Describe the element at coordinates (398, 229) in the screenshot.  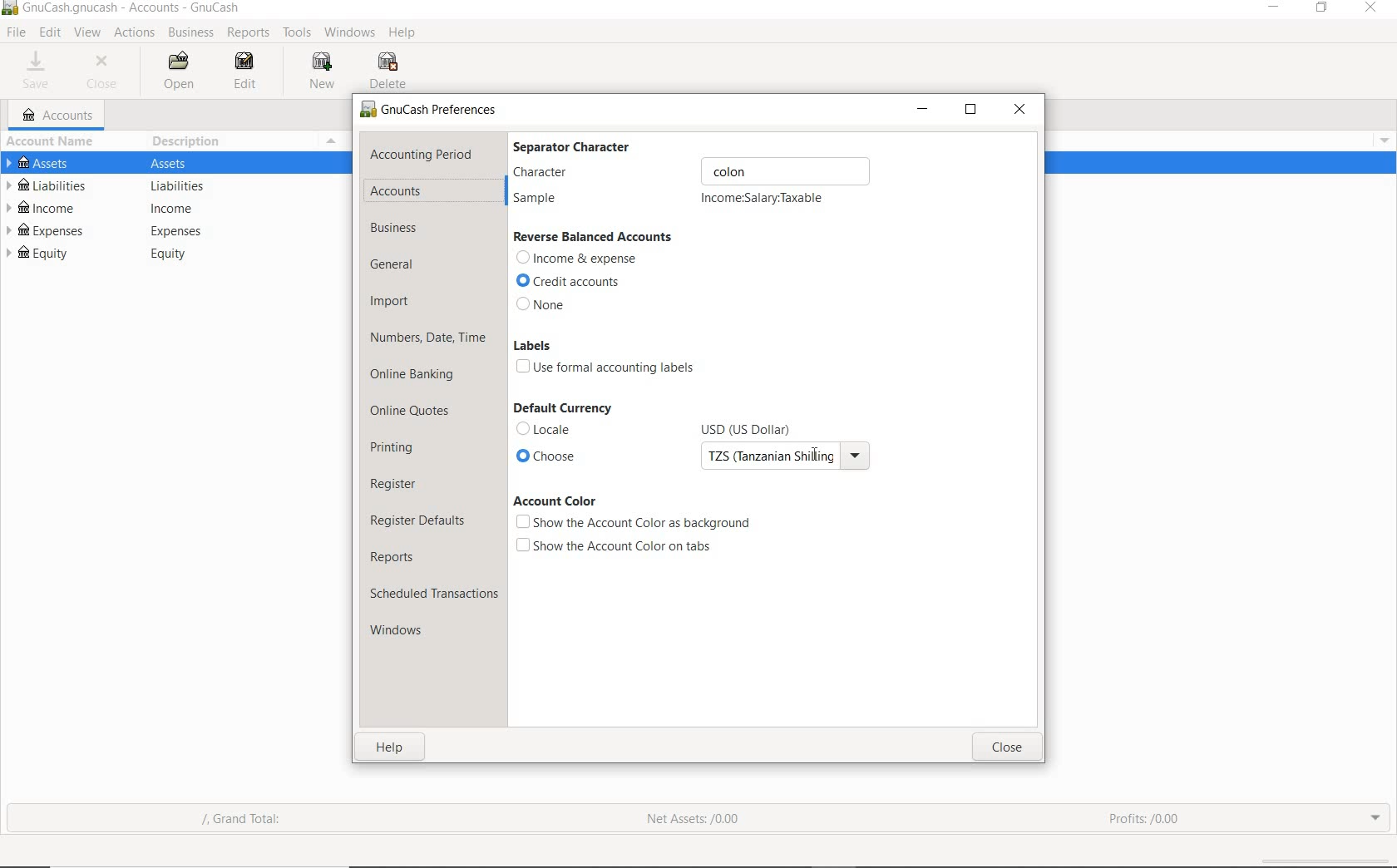
I see `business` at that location.